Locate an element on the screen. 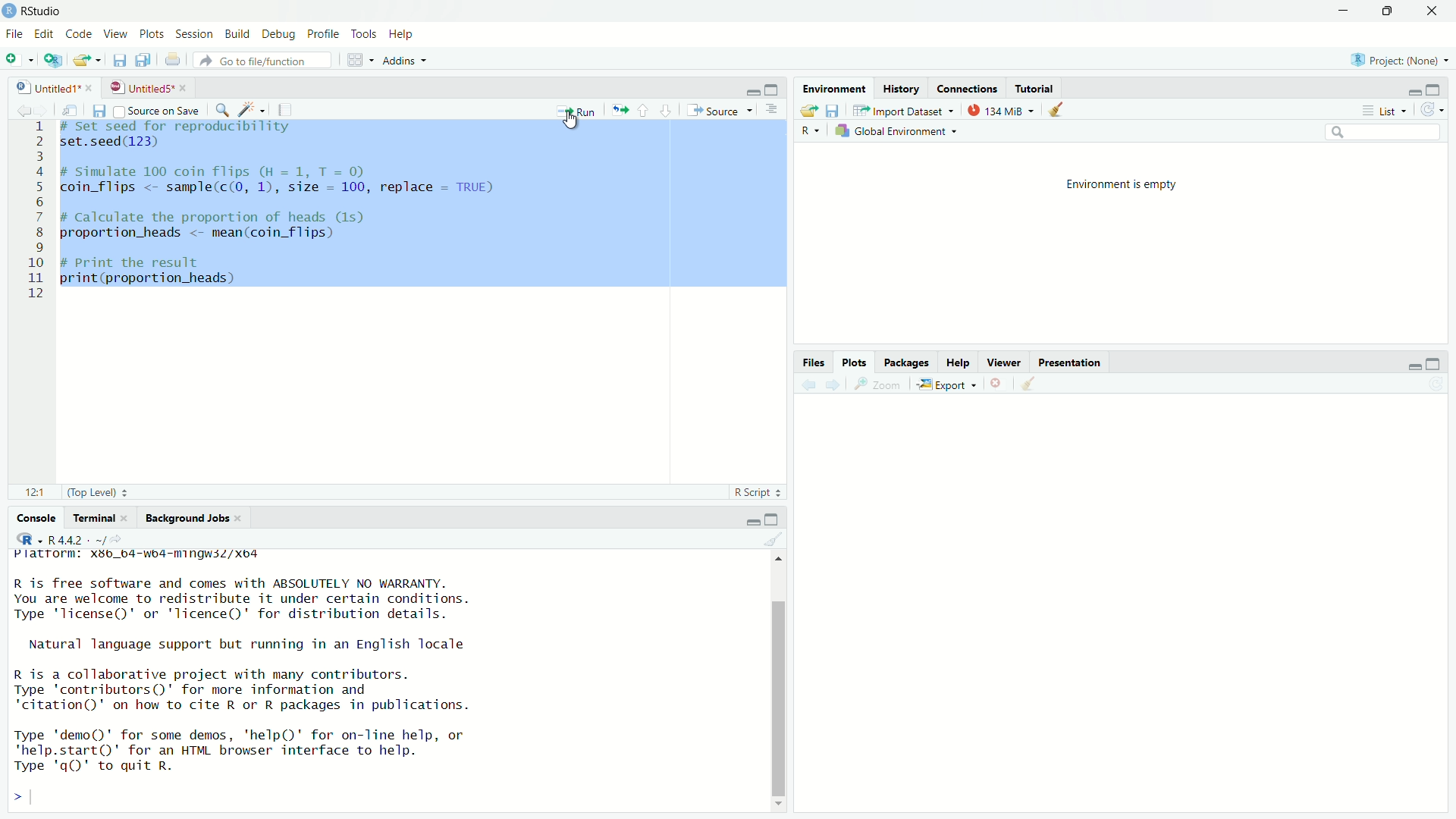 The width and height of the screenshot is (1456, 819). History is located at coordinates (901, 88).